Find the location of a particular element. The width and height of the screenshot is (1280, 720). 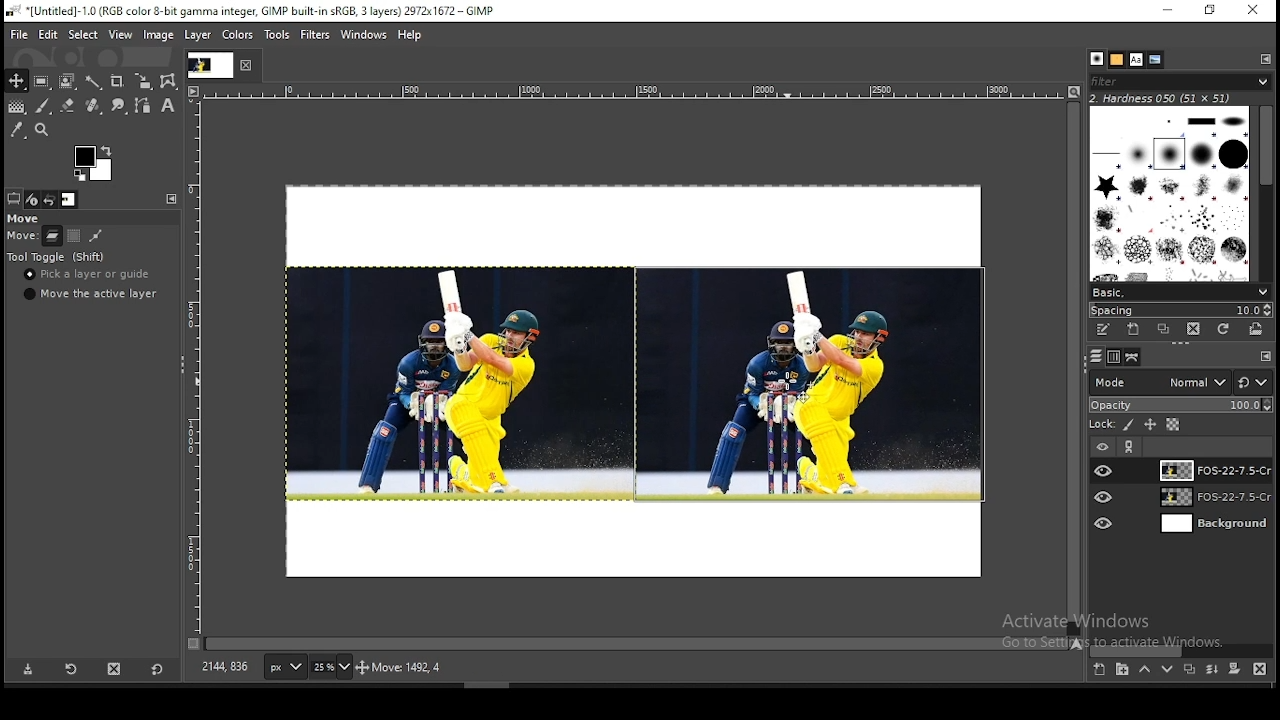

filters is located at coordinates (316, 35).